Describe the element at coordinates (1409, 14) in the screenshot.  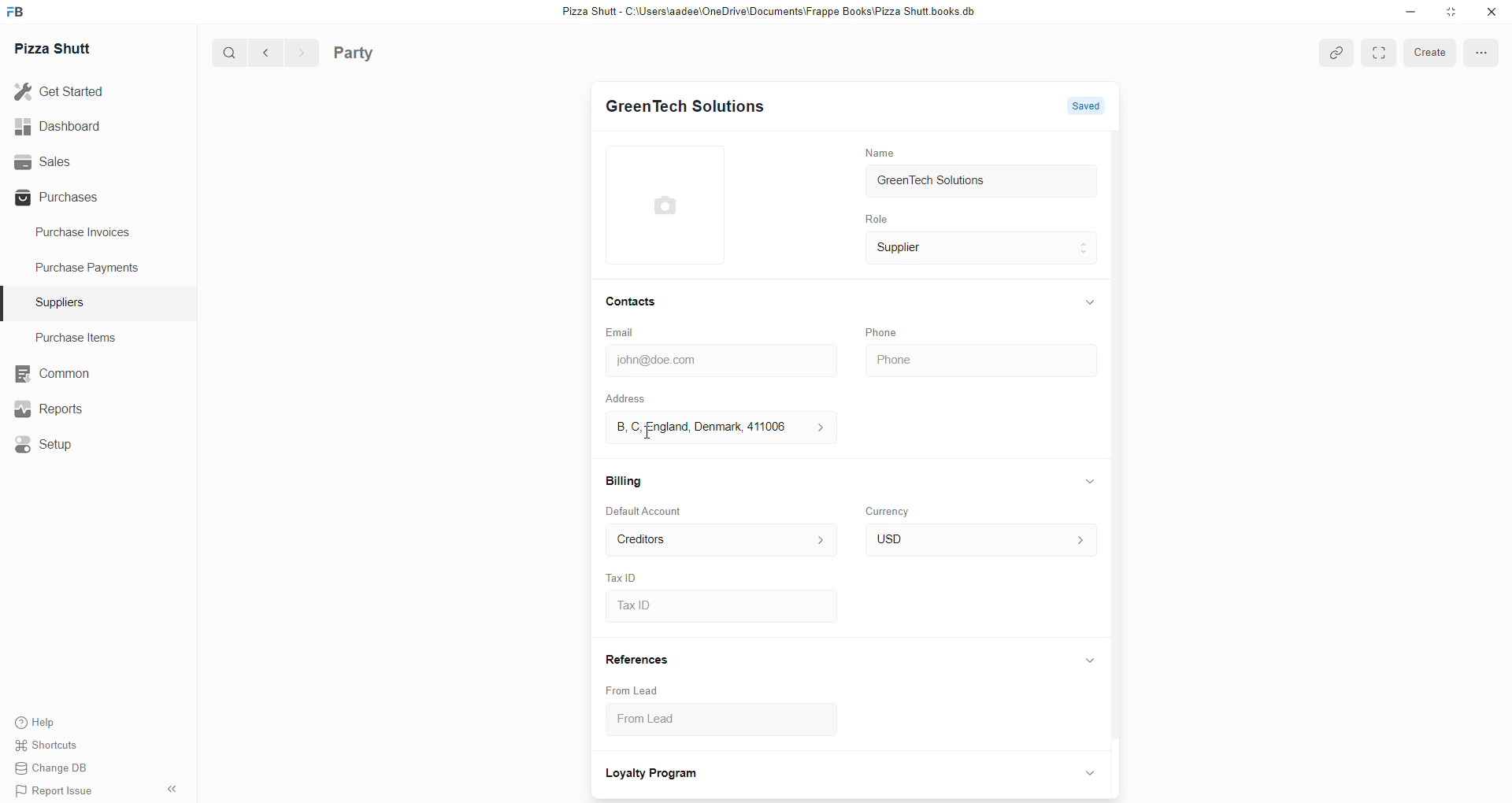
I see `minimize` at that location.